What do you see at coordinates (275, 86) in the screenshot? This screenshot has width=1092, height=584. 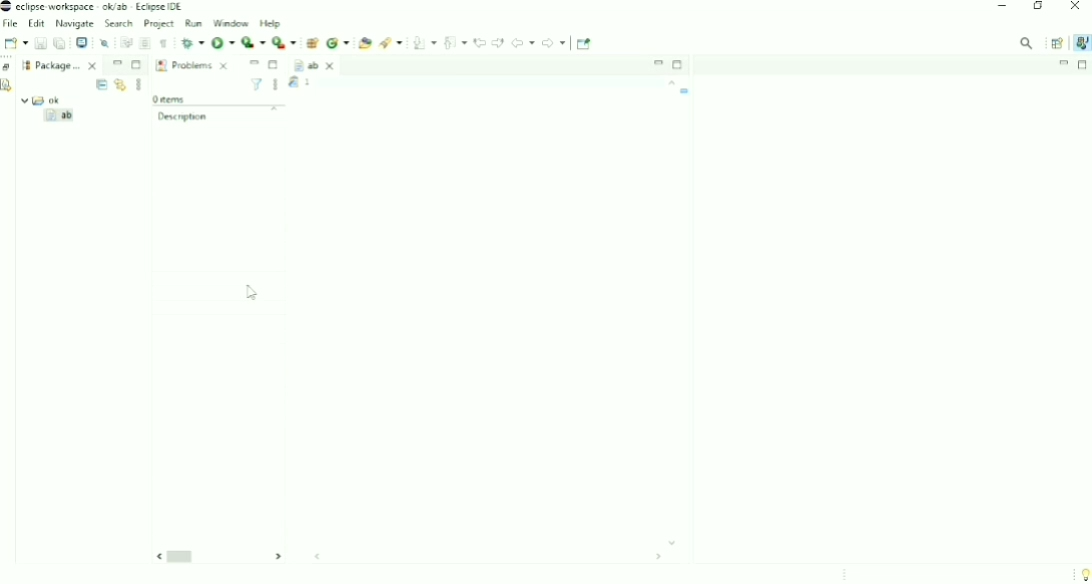 I see `View Menu` at bounding box center [275, 86].